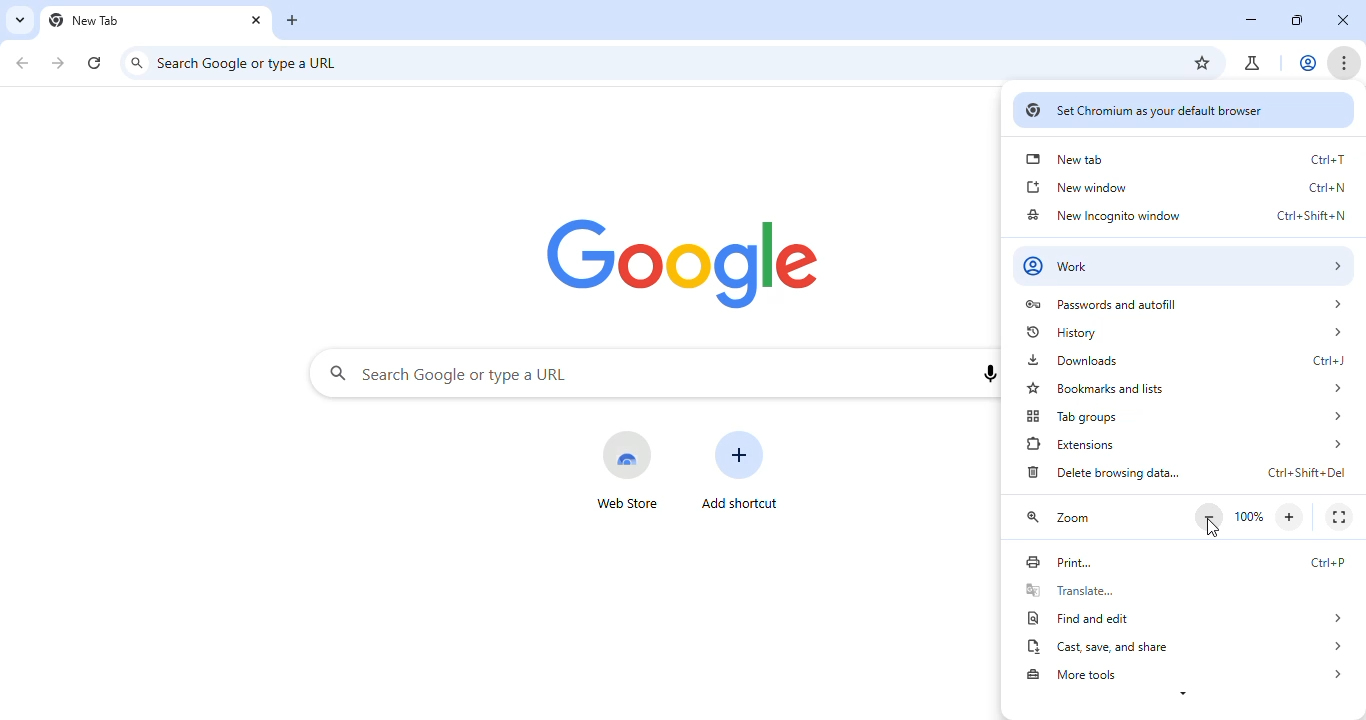  I want to click on customize and control google chrome, so click(1345, 63).